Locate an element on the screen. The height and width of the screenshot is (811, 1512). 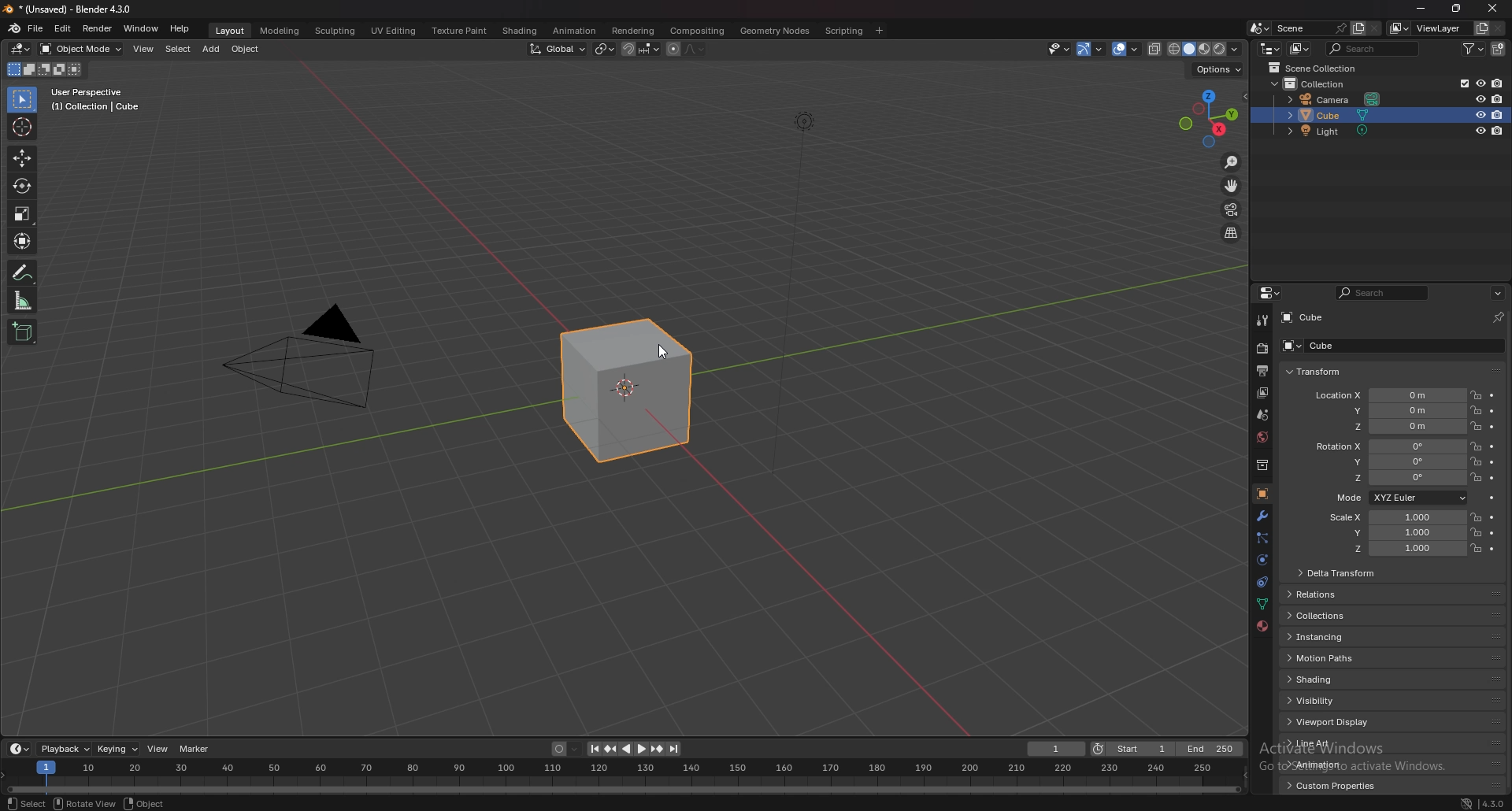
world is located at coordinates (1262, 436).